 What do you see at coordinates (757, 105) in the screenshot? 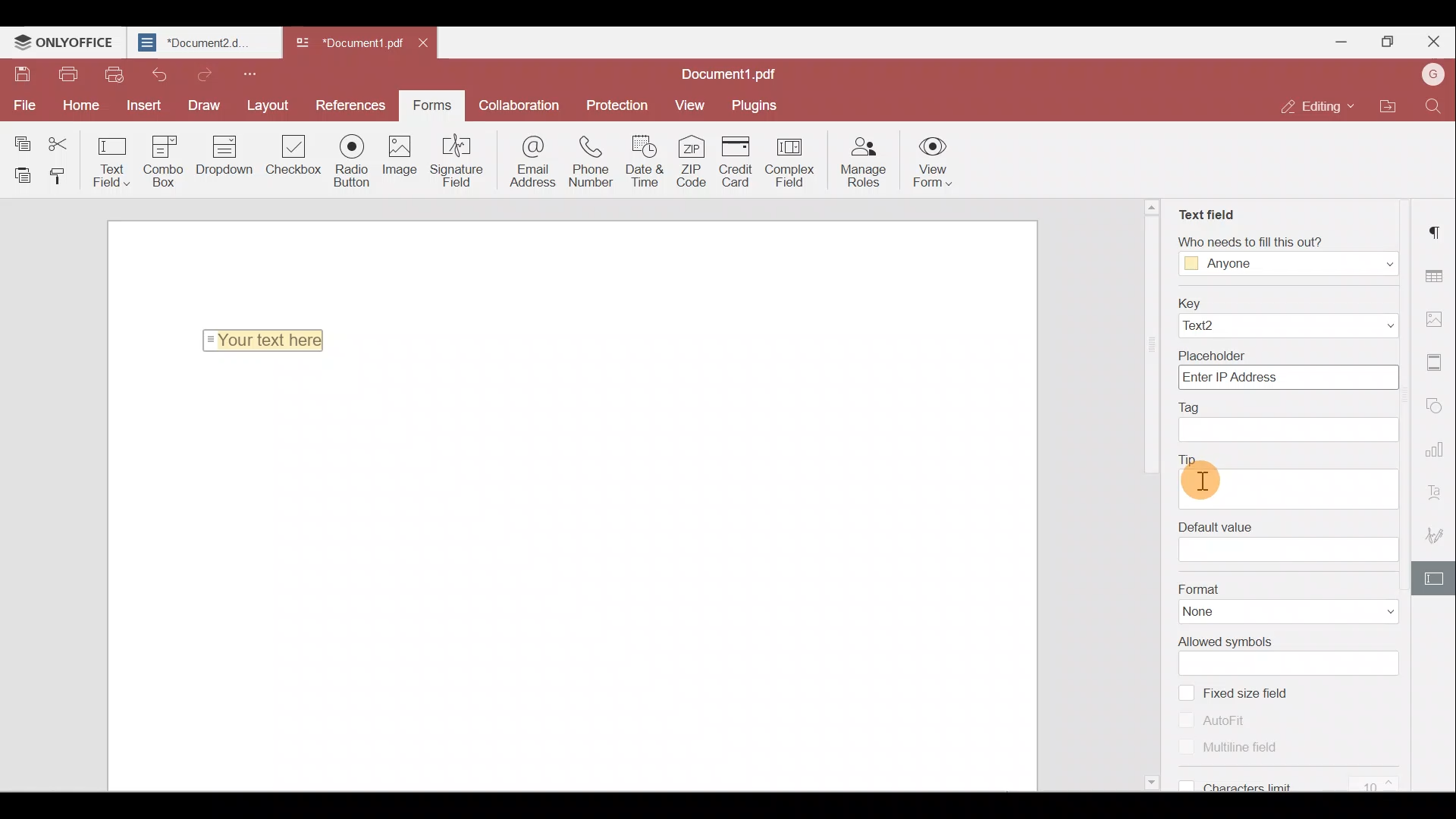
I see `Plugins` at bounding box center [757, 105].